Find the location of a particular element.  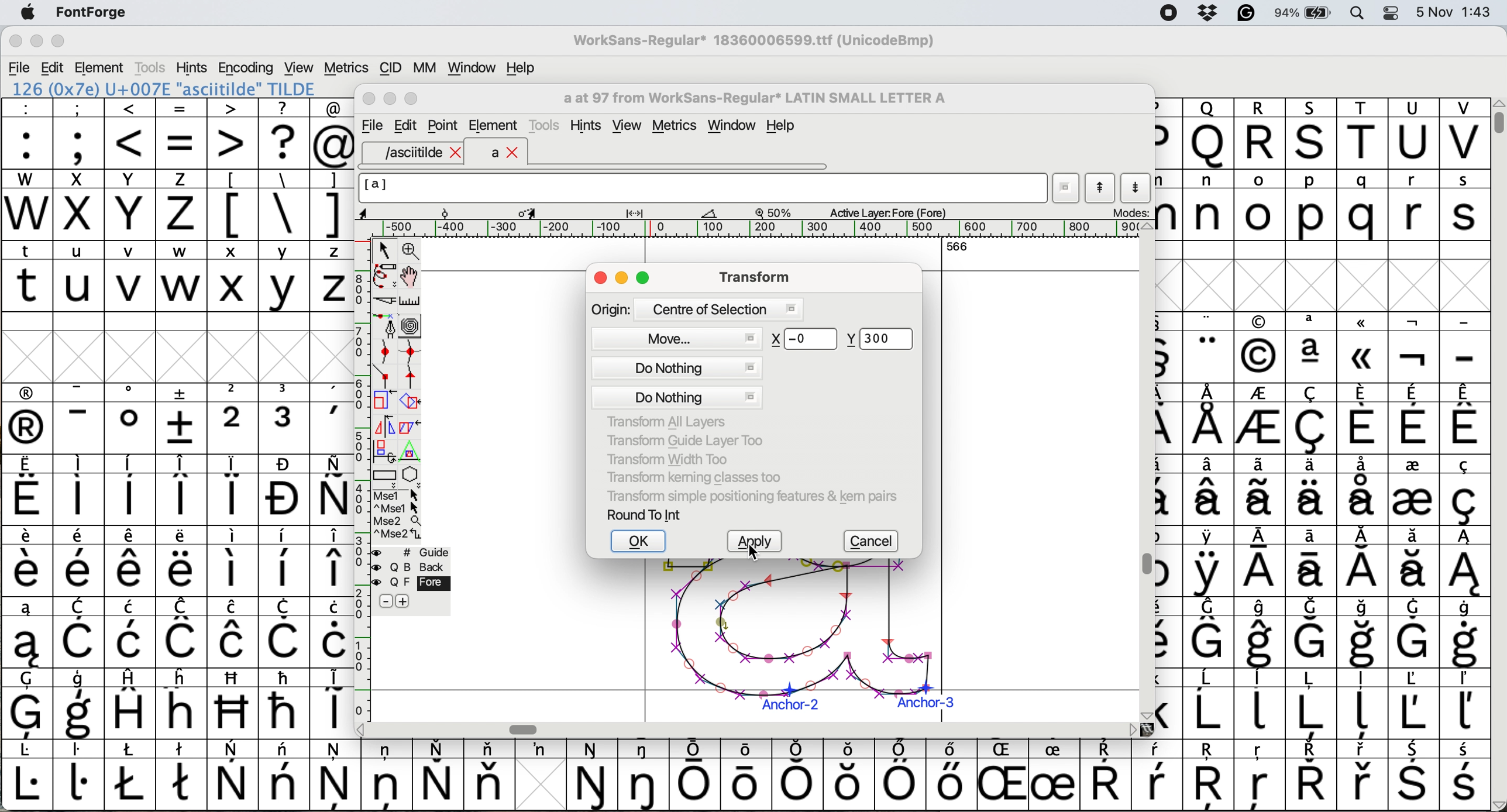

x is located at coordinates (78, 205).